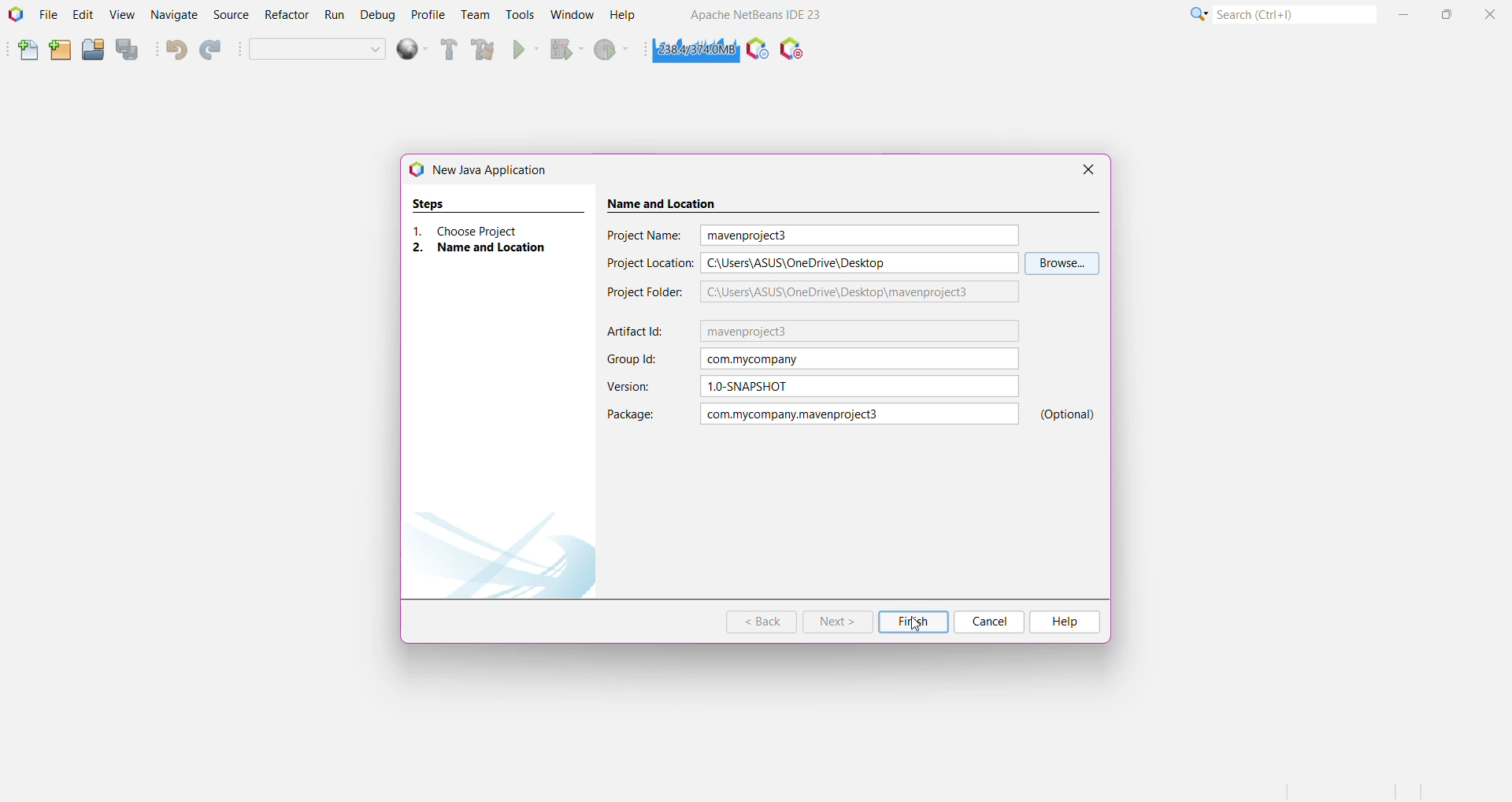 The height and width of the screenshot is (802, 1512). Describe the element at coordinates (629, 414) in the screenshot. I see `Package` at that location.